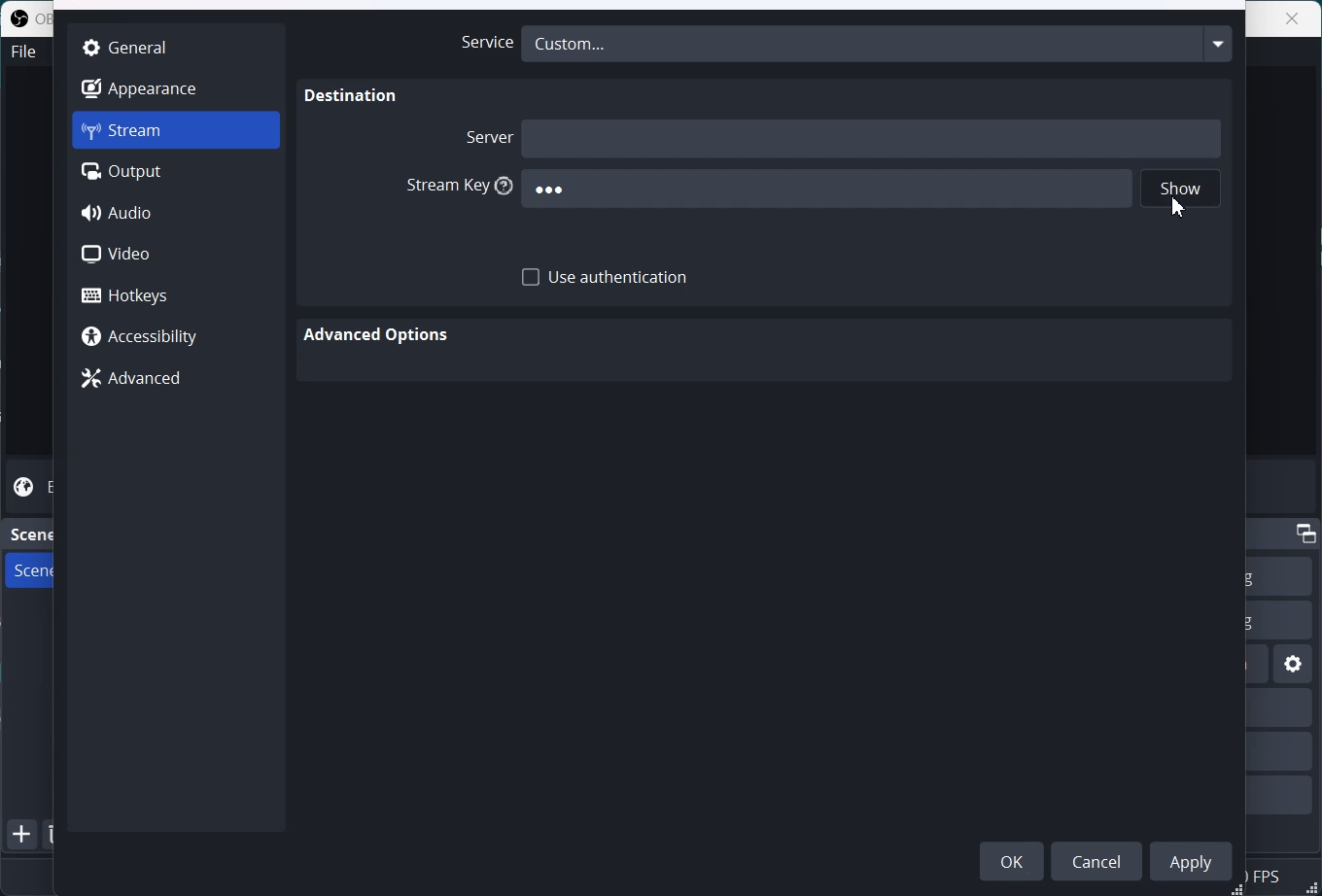 The height and width of the screenshot is (896, 1322). Describe the element at coordinates (481, 43) in the screenshot. I see `Service` at that location.